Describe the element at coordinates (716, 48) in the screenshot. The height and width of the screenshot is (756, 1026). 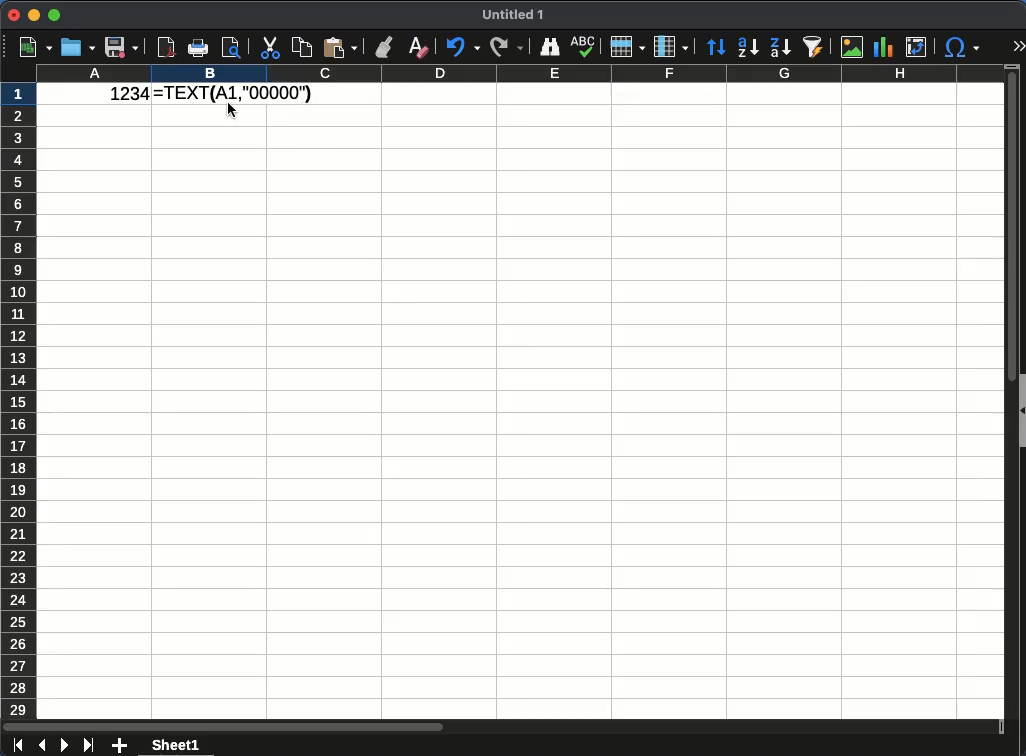
I see `sort` at that location.